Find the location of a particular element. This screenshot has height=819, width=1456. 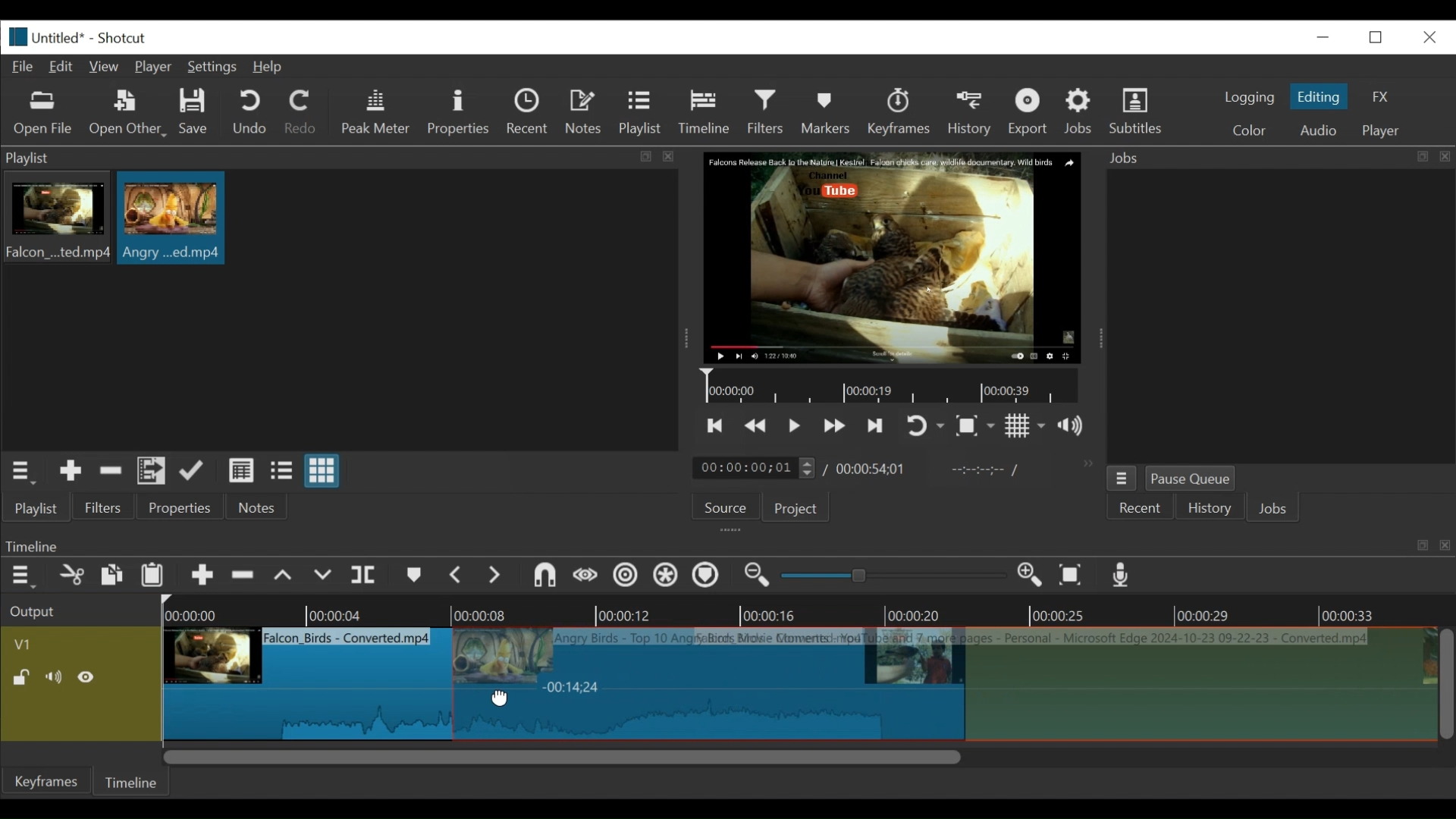

File is located at coordinates (26, 67).